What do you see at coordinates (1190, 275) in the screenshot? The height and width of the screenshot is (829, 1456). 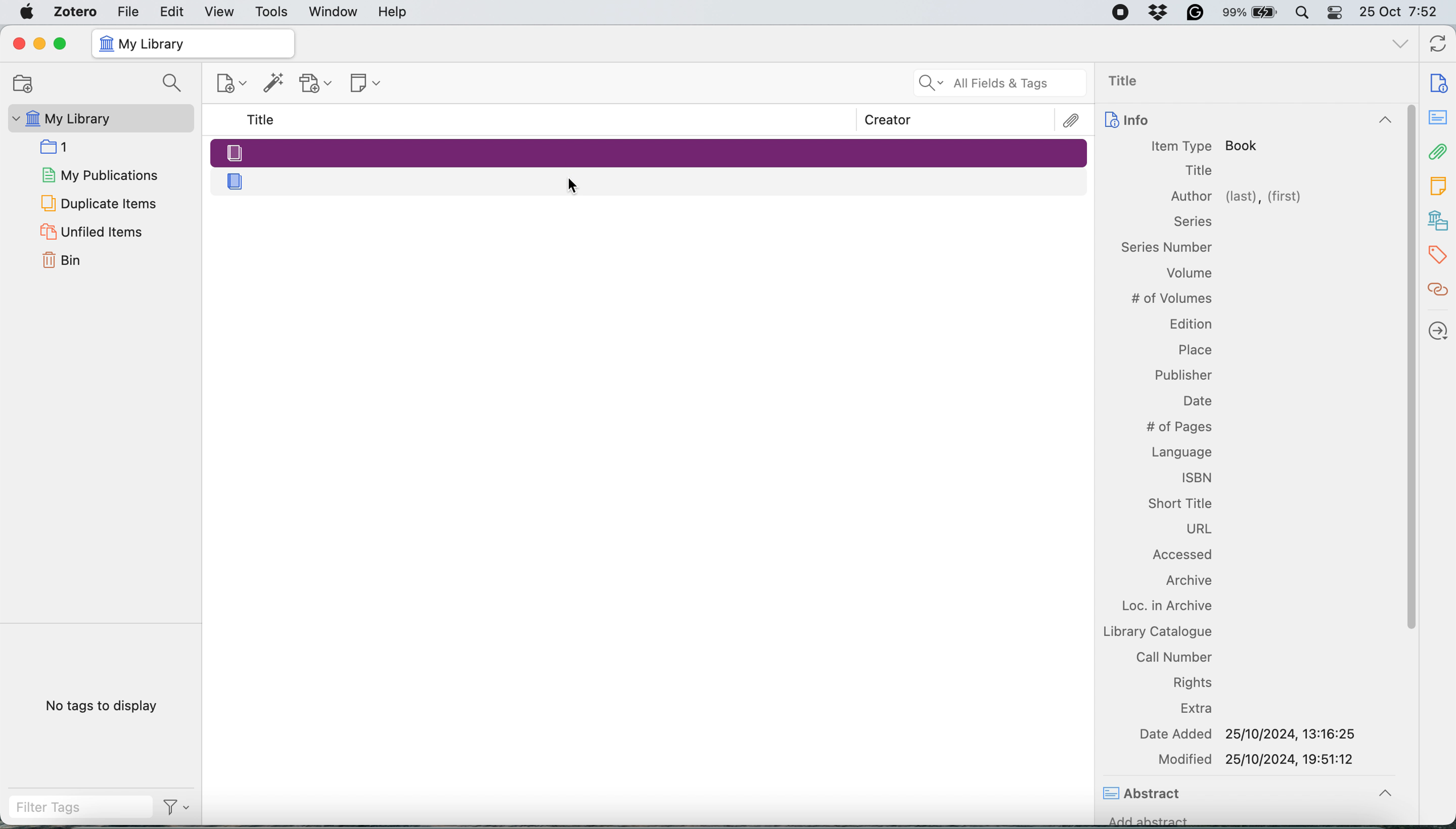 I see `Volume` at bounding box center [1190, 275].